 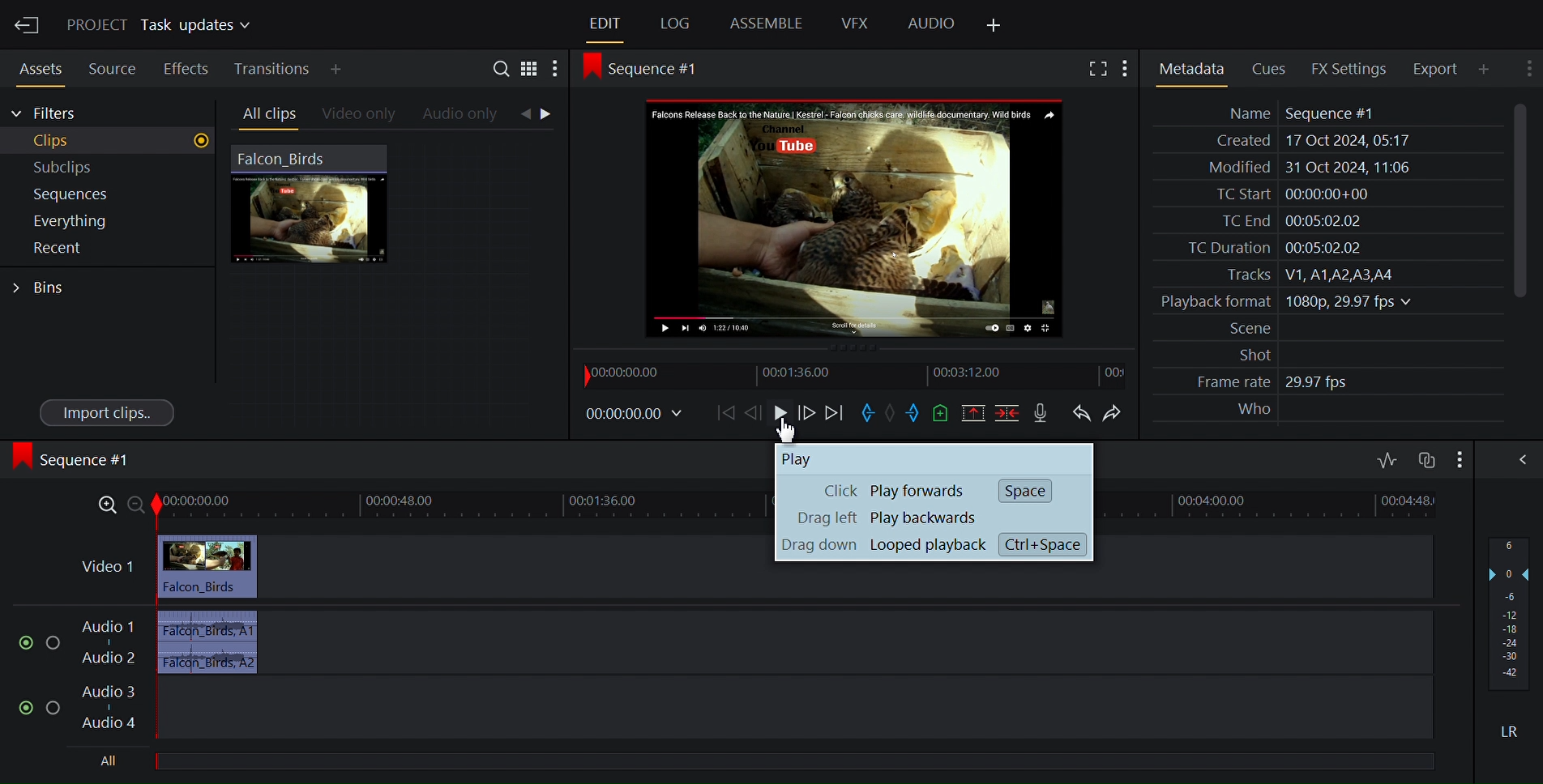 What do you see at coordinates (858, 219) in the screenshot?
I see `Media Viewer` at bounding box center [858, 219].